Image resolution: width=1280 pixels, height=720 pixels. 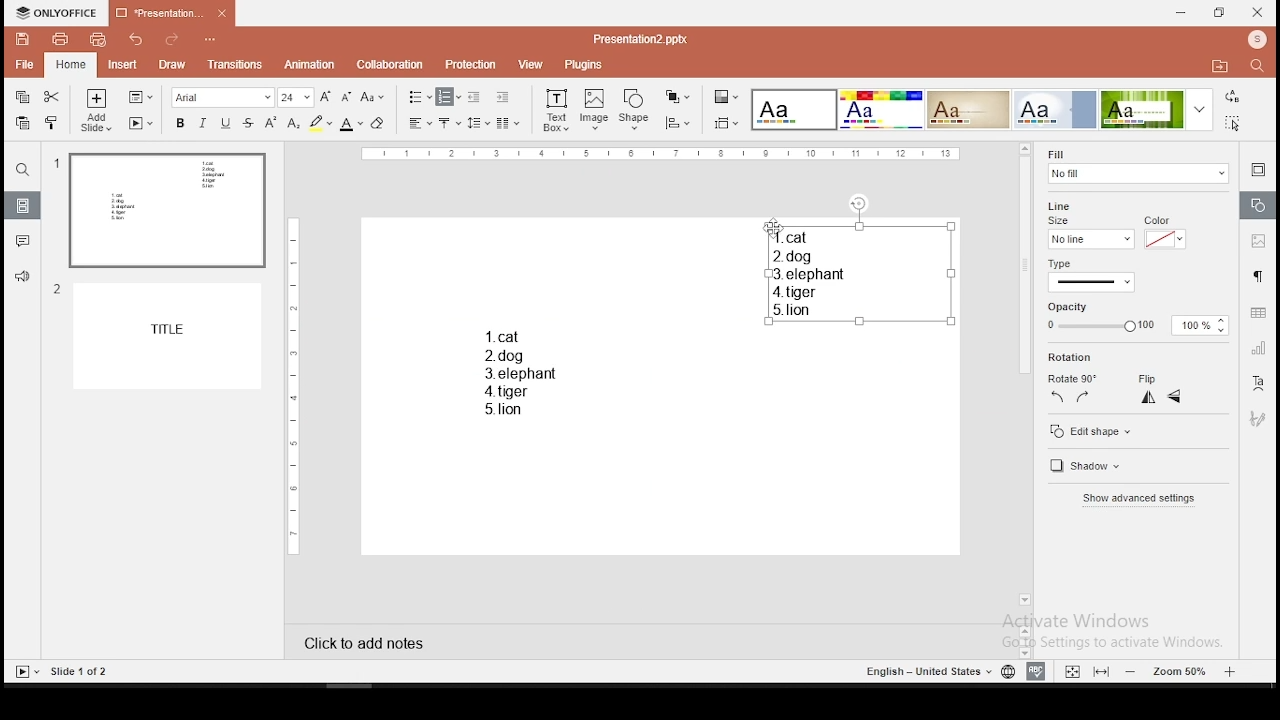 What do you see at coordinates (1082, 397) in the screenshot?
I see `rotate 90 clockwise` at bounding box center [1082, 397].